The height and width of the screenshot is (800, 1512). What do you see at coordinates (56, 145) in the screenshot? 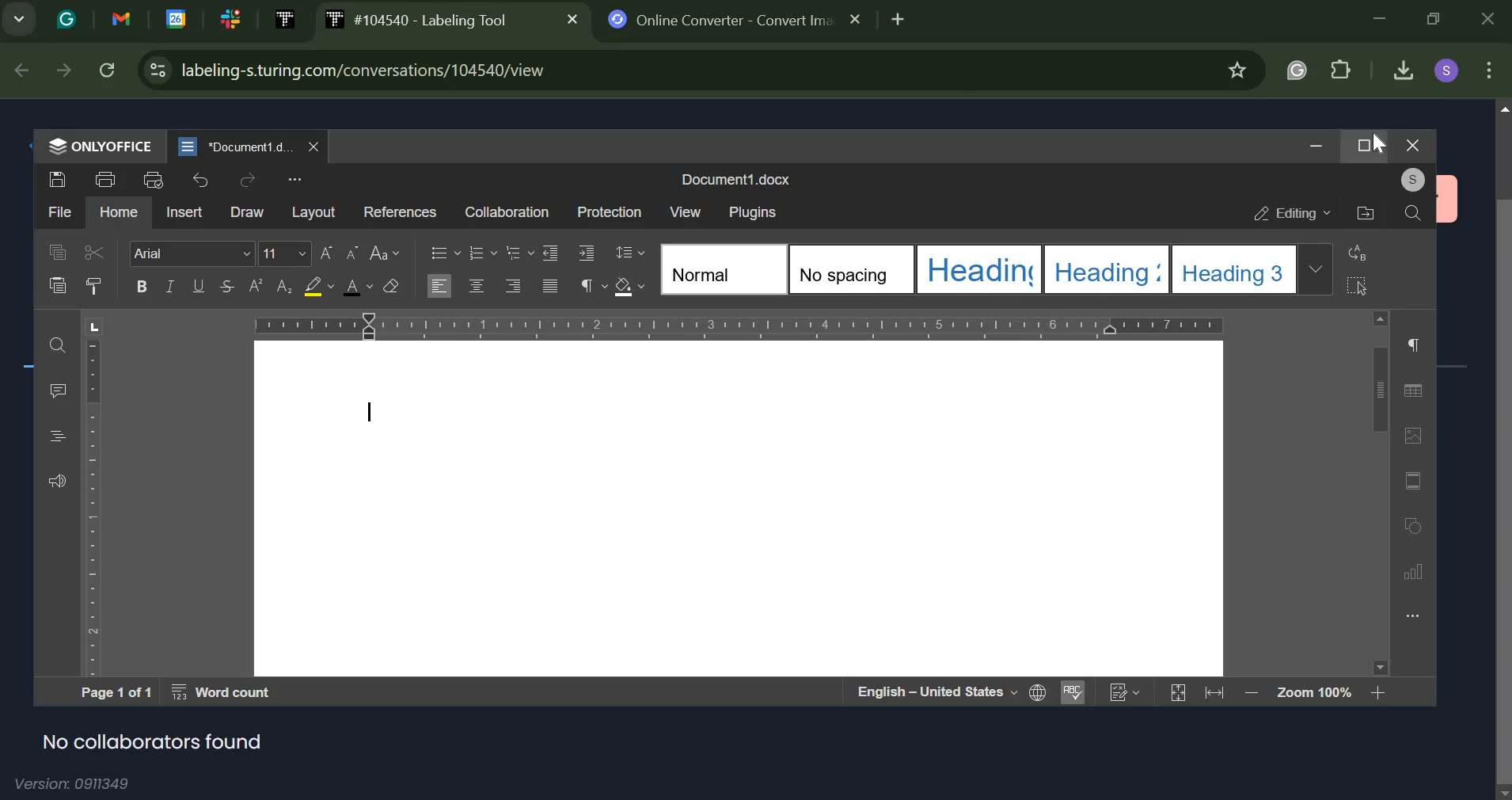
I see `logo` at bounding box center [56, 145].